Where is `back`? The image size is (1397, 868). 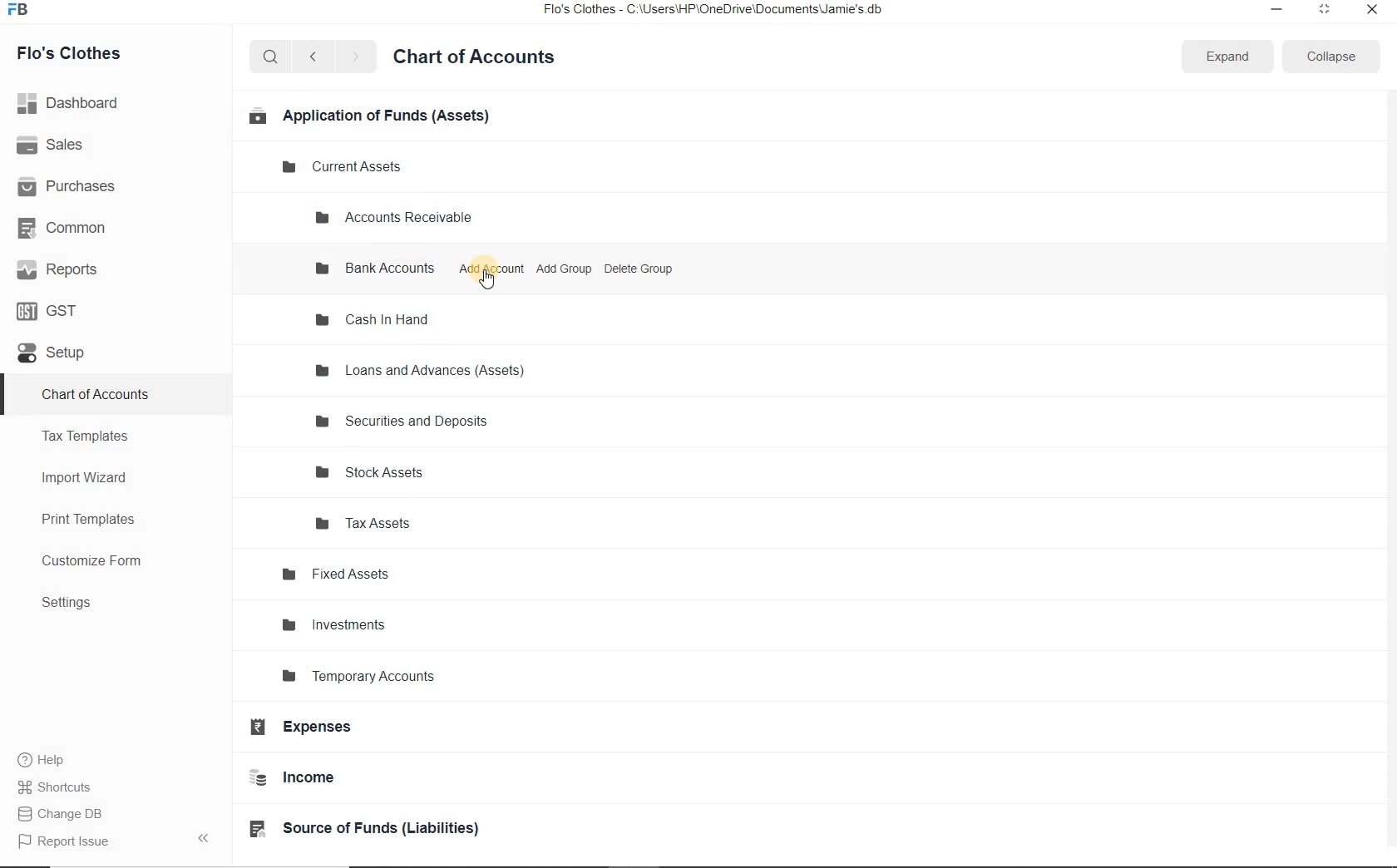 back is located at coordinates (313, 56).